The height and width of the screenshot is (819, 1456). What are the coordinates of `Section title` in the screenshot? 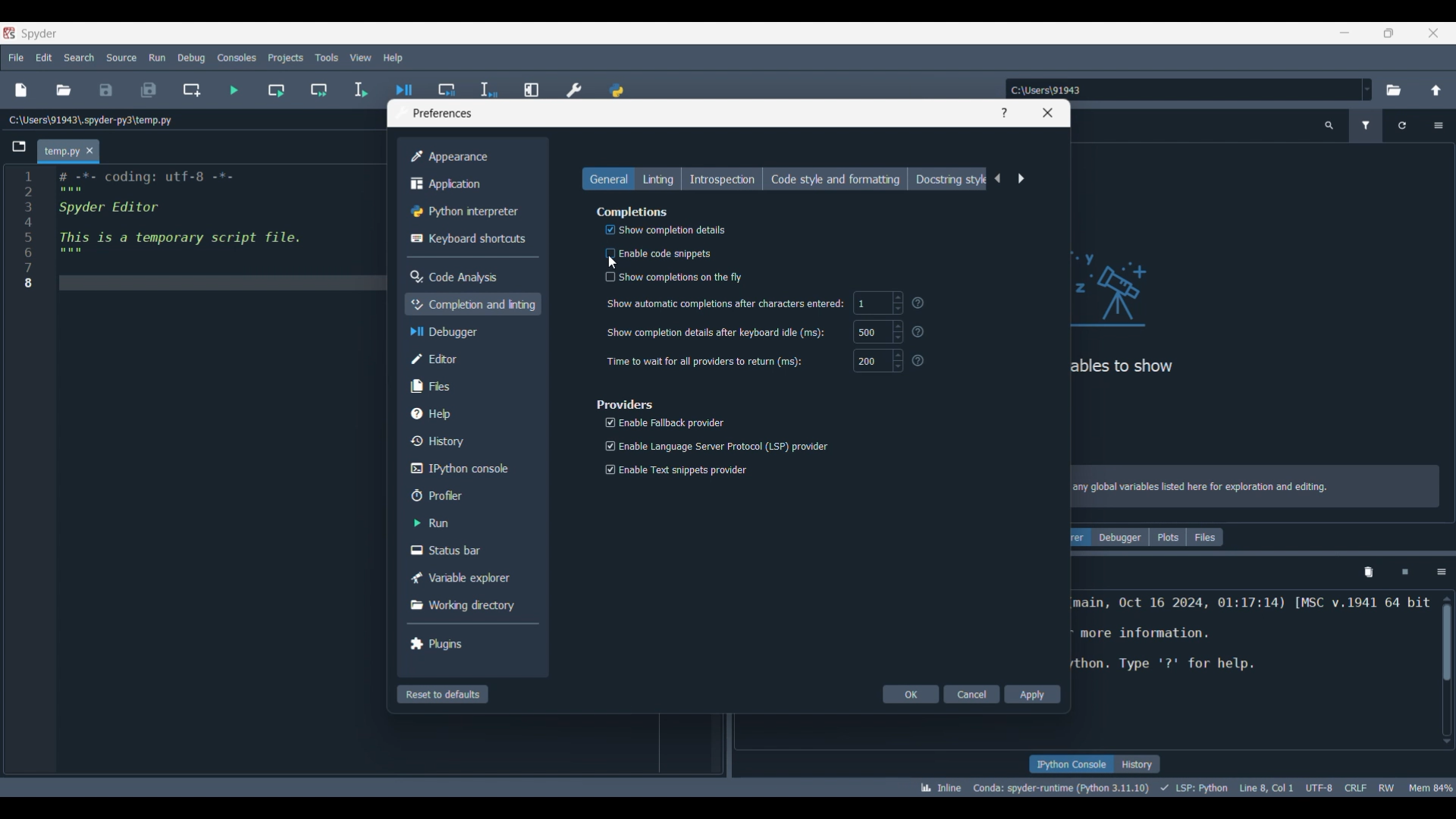 It's located at (633, 212).